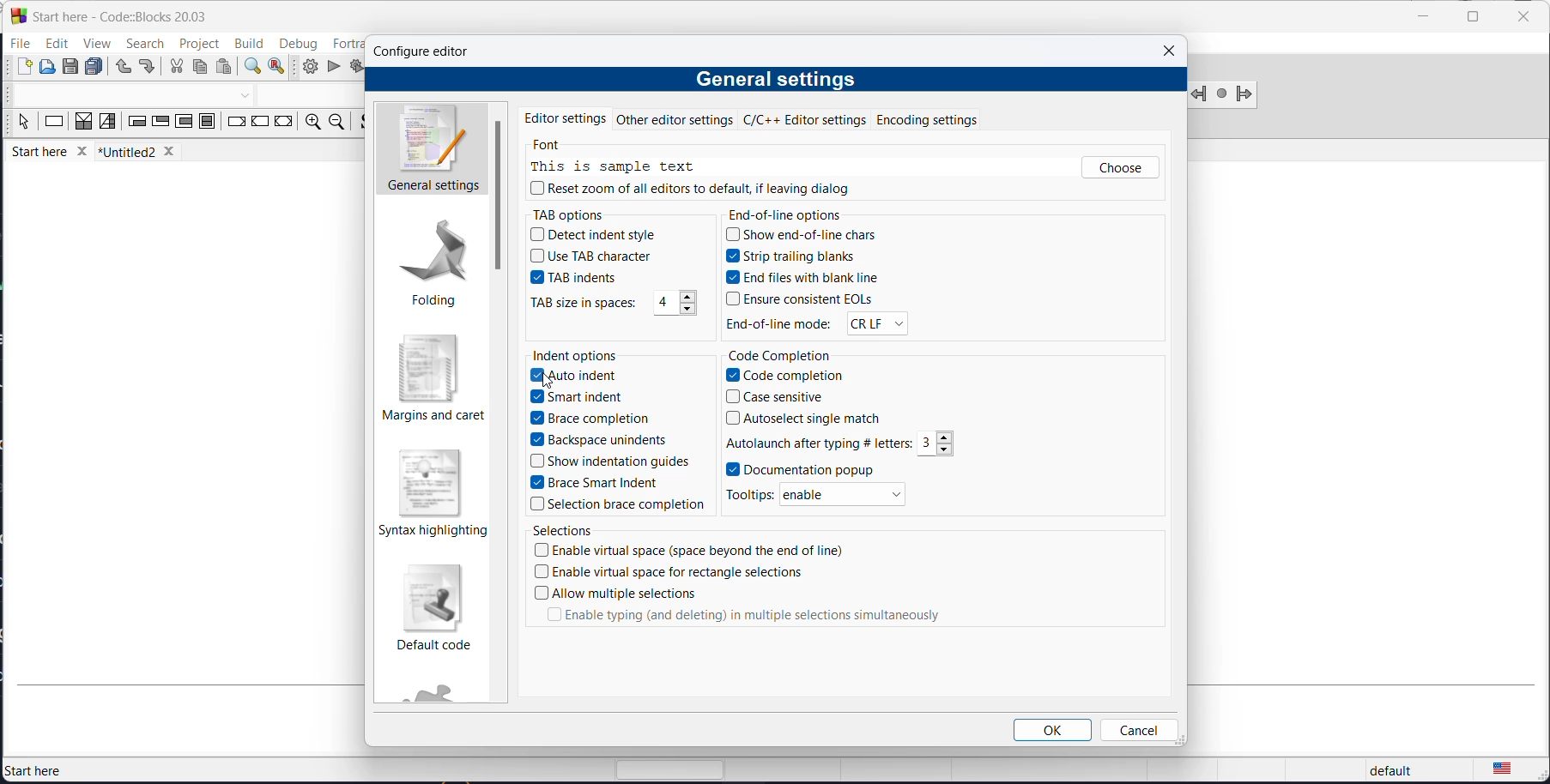  Describe the element at coordinates (117, 15) in the screenshot. I see `start here window` at that location.